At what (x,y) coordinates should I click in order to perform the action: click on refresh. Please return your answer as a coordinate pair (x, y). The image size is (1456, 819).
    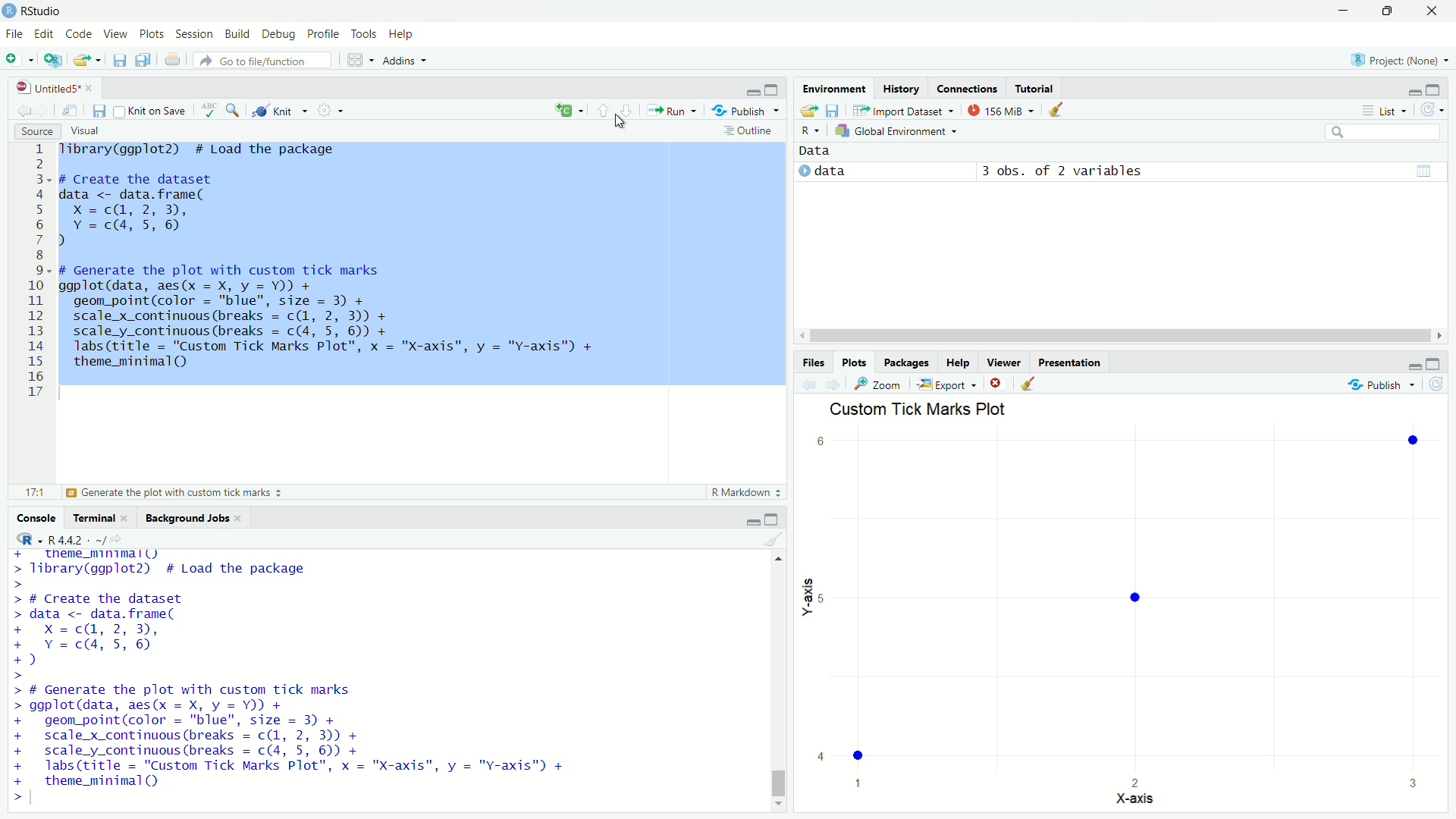
    Looking at the image, I should click on (1437, 111).